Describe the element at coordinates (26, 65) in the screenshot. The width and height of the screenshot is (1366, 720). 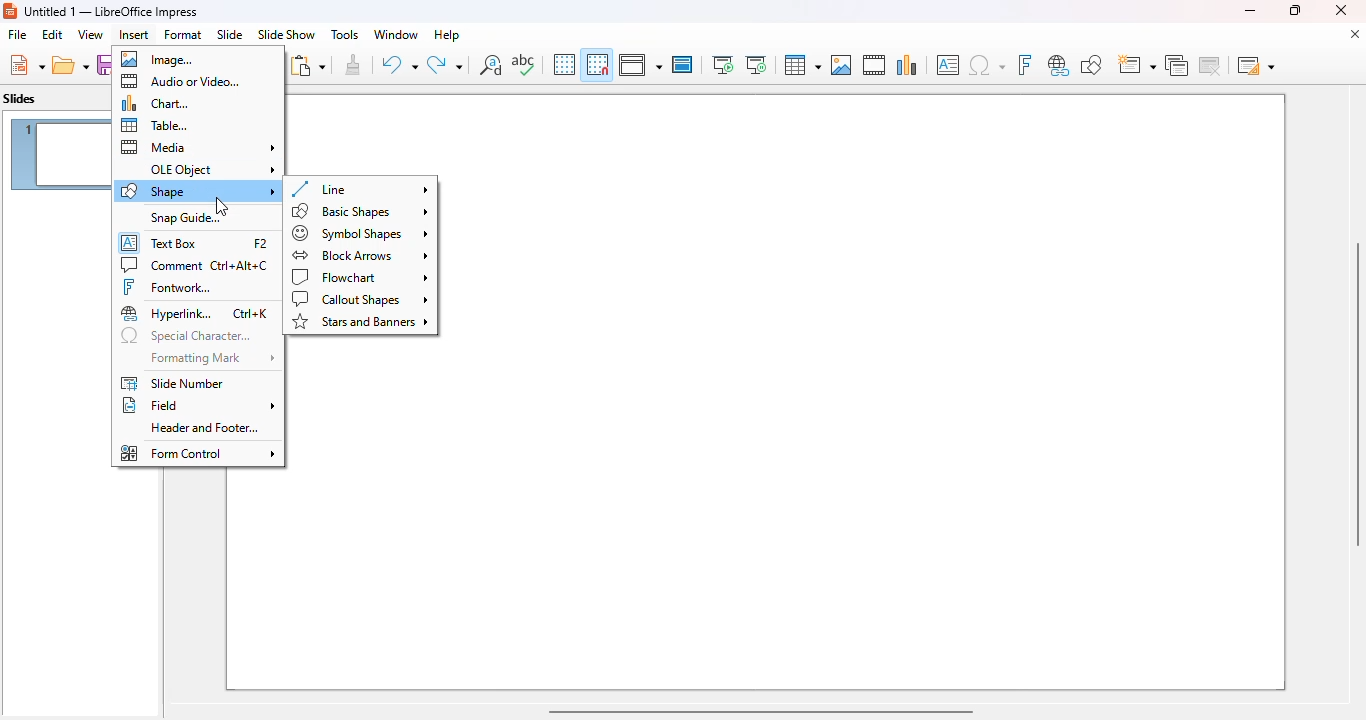
I see `new` at that location.